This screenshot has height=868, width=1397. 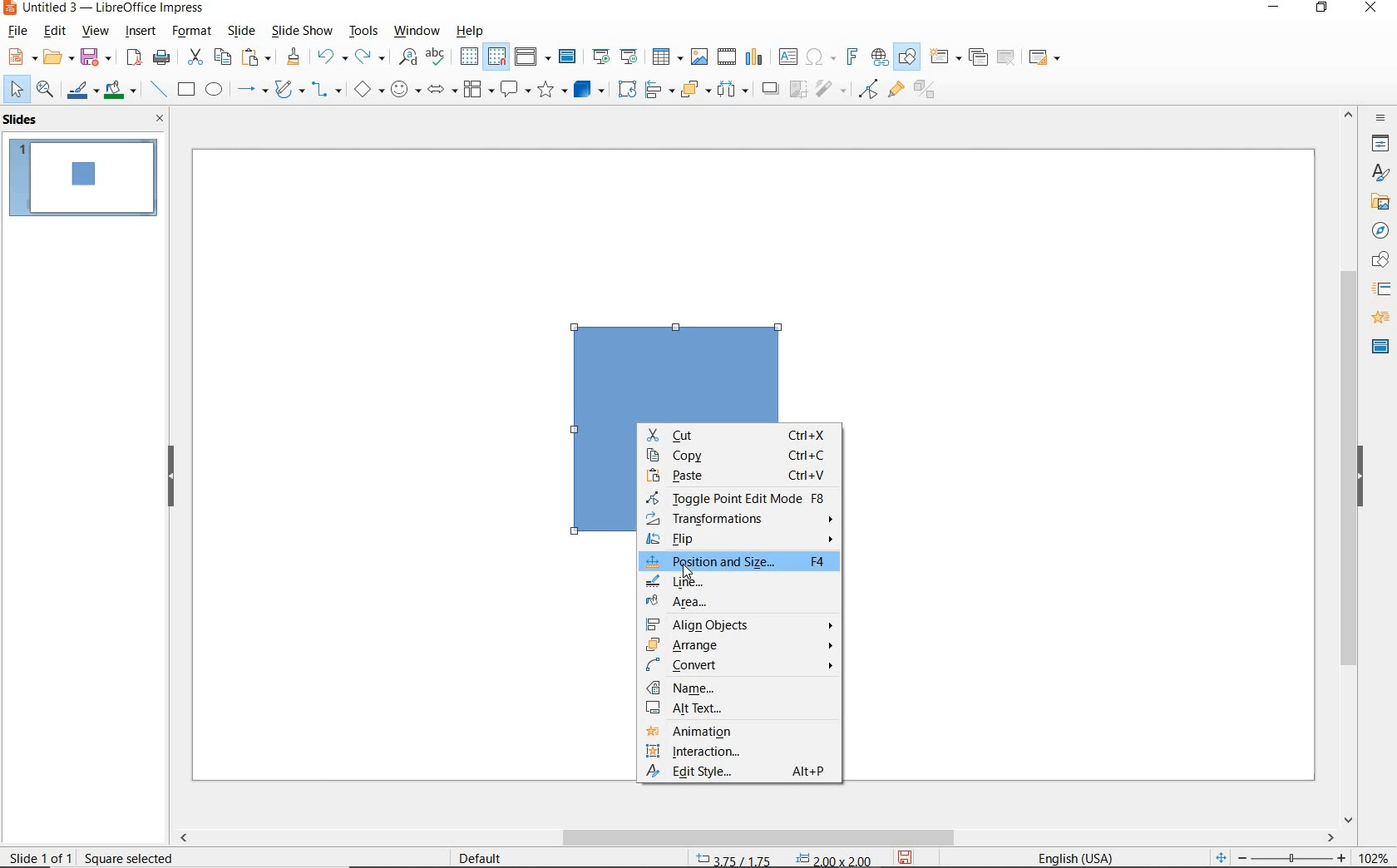 What do you see at coordinates (741, 754) in the screenshot?
I see `INTERACTION` at bounding box center [741, 754].